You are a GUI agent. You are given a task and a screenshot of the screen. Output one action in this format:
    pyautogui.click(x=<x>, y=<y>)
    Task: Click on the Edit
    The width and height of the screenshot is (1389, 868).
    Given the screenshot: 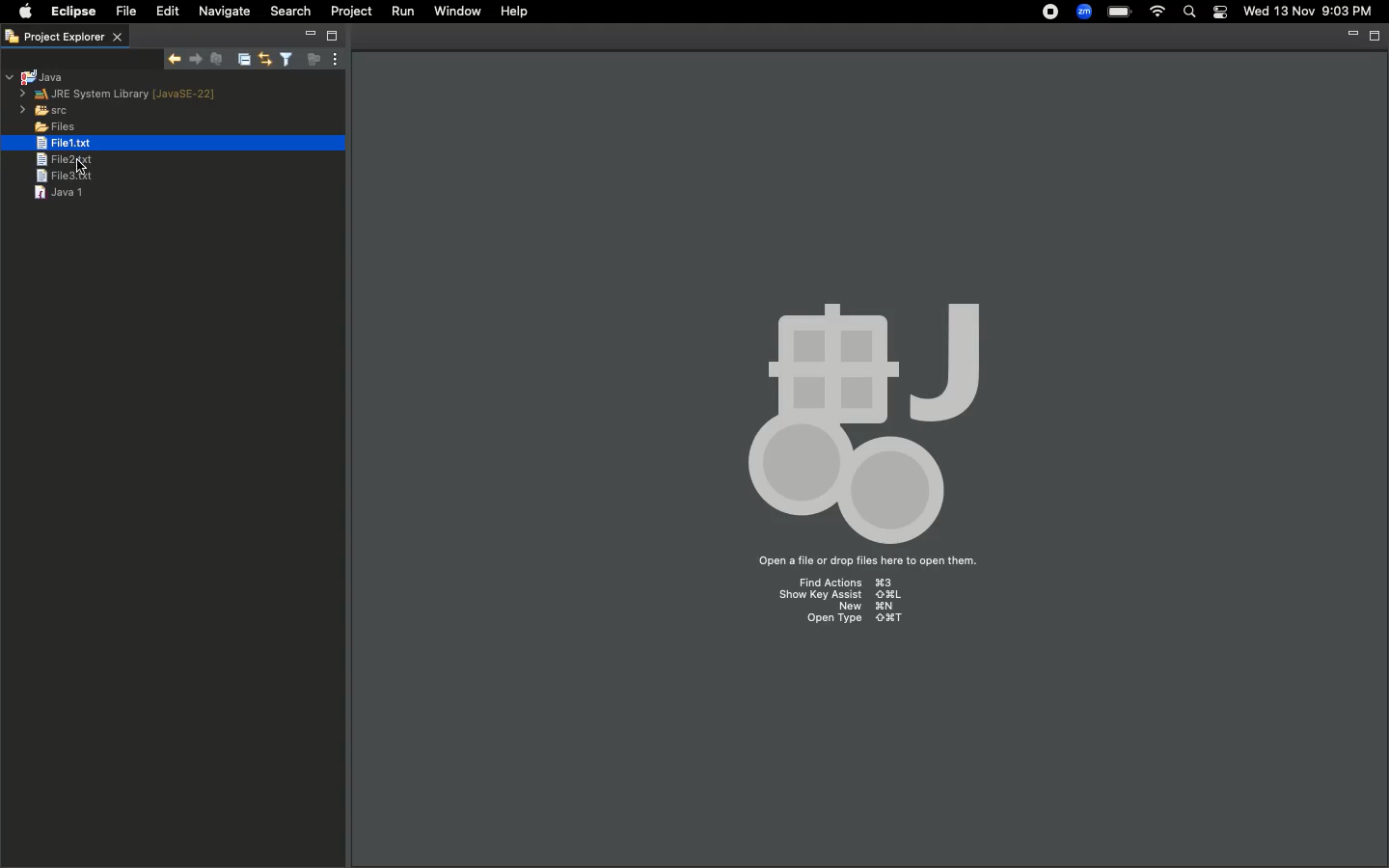 What is the action you would take?
    pyautogui.click(x=164, y=11)
    